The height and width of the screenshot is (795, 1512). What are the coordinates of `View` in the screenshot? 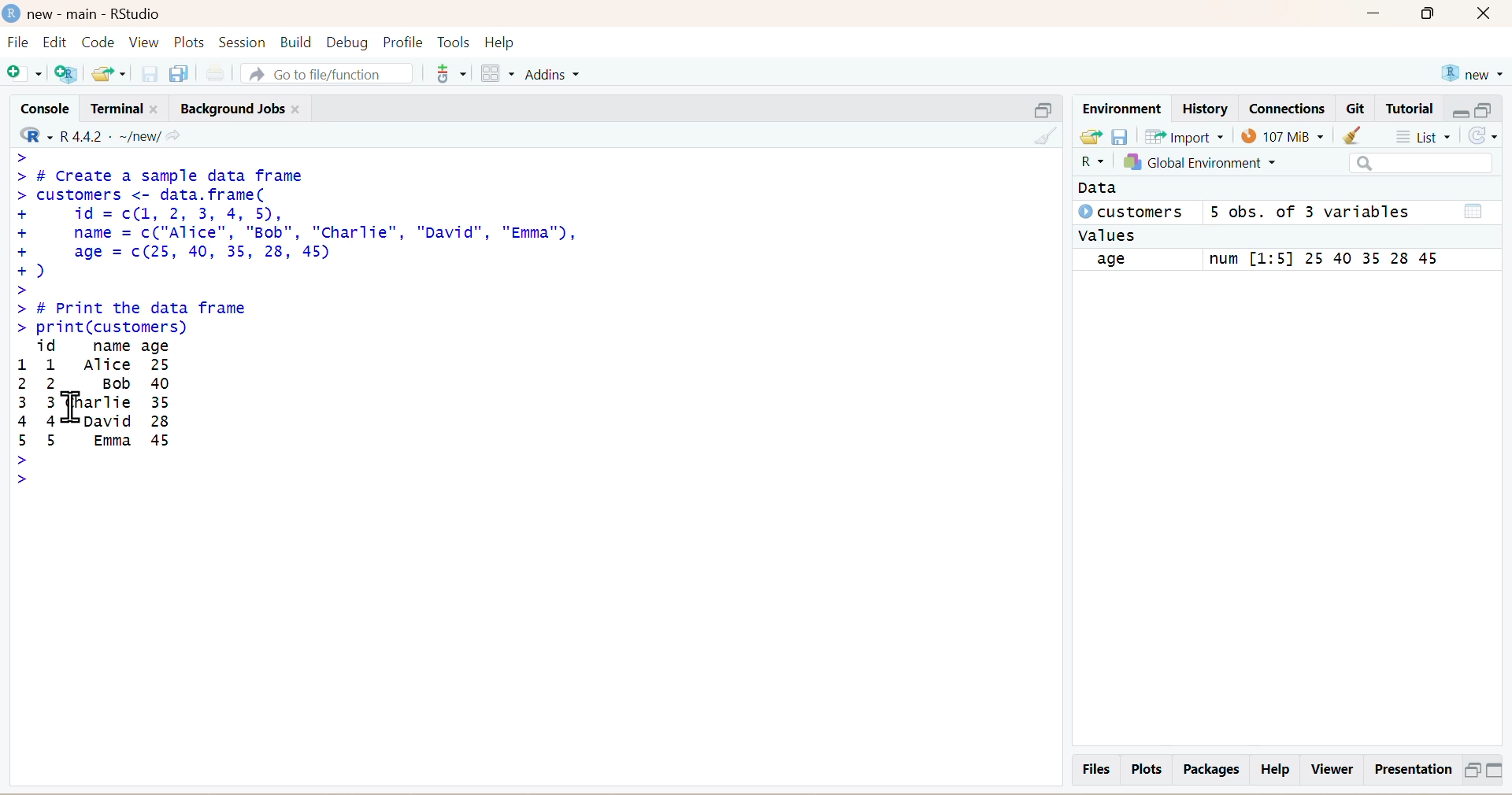 It's located at (145, 42).